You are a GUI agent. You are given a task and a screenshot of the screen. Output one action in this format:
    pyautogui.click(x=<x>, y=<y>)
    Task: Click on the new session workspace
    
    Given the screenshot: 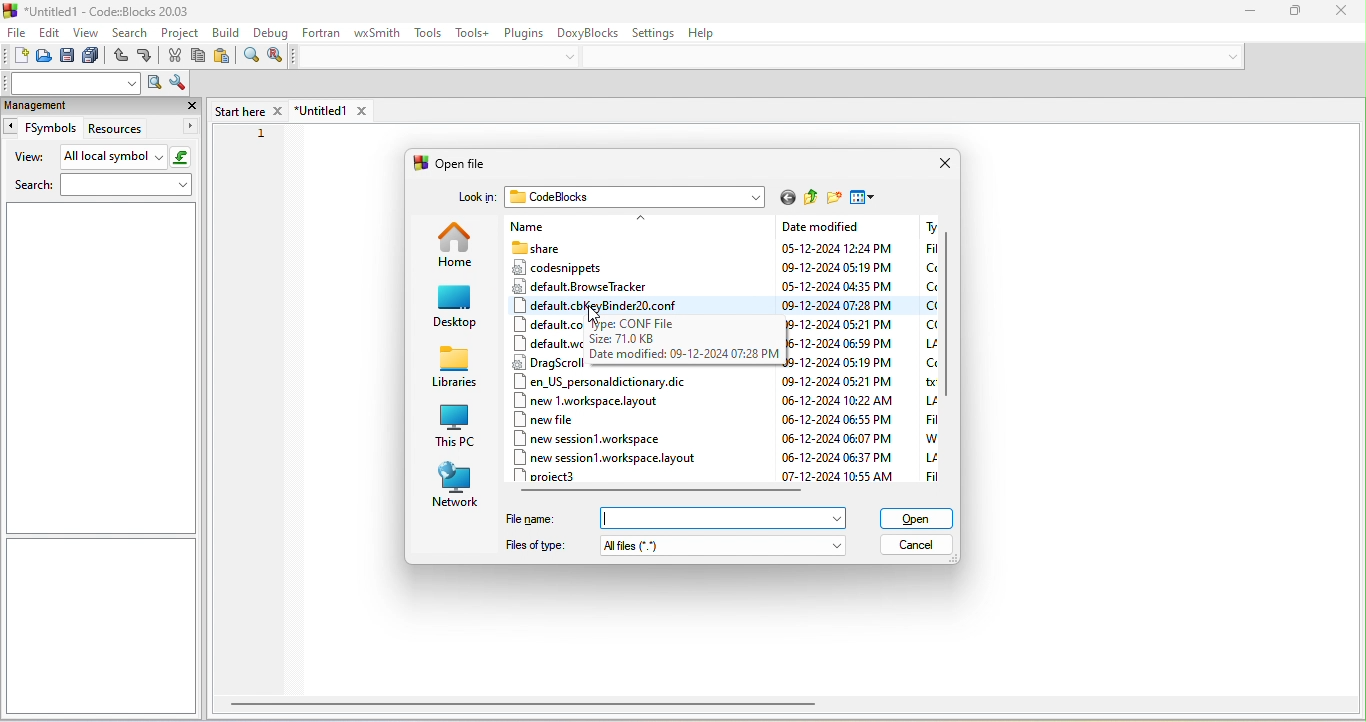 What is the action you would take?
    pyautogui.click(x=587, y=438)
    